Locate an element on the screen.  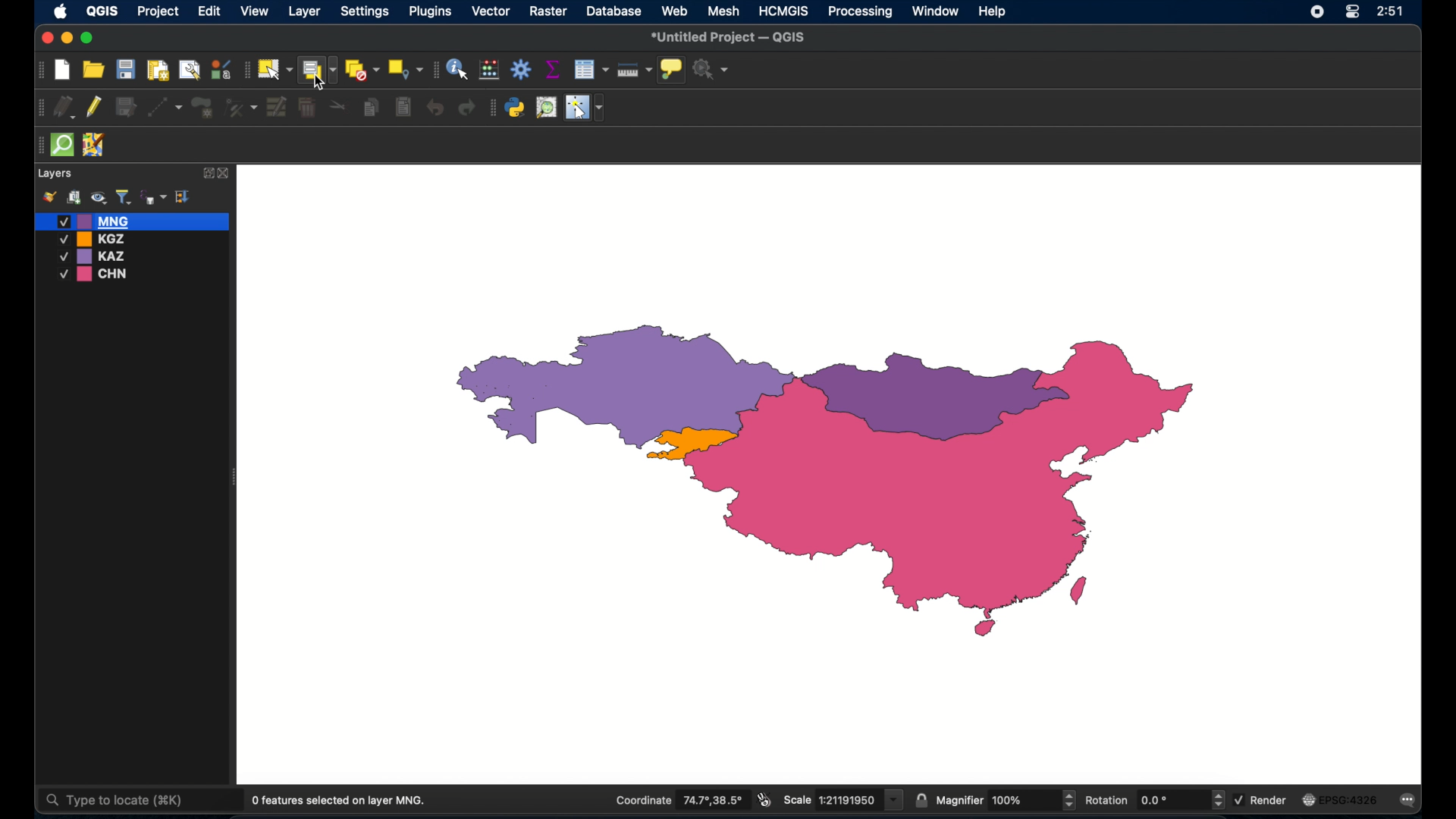
close is located at coordinates (45, 37).